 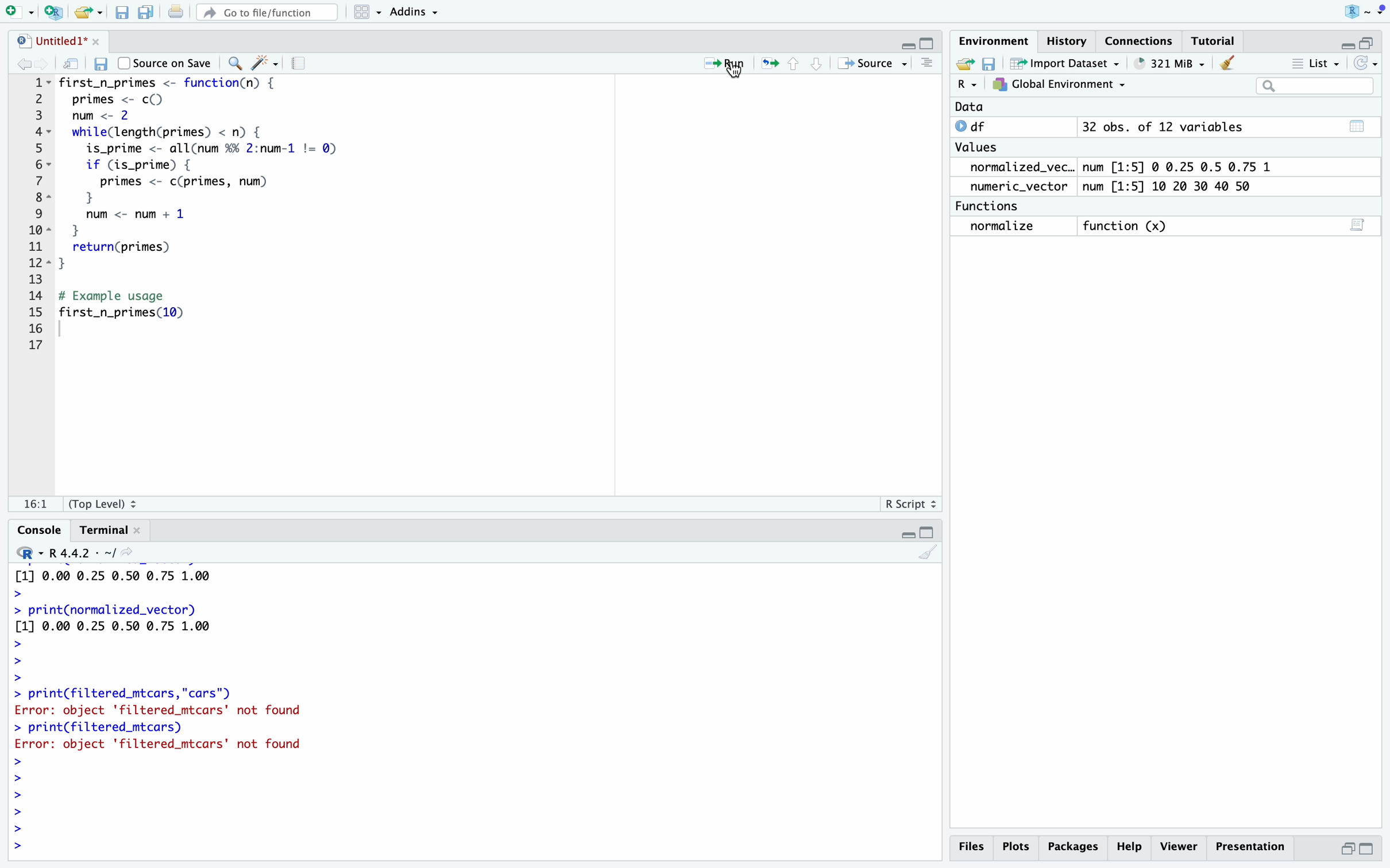 I want to click on #” Go to file/function, so click(x=265, y=10).